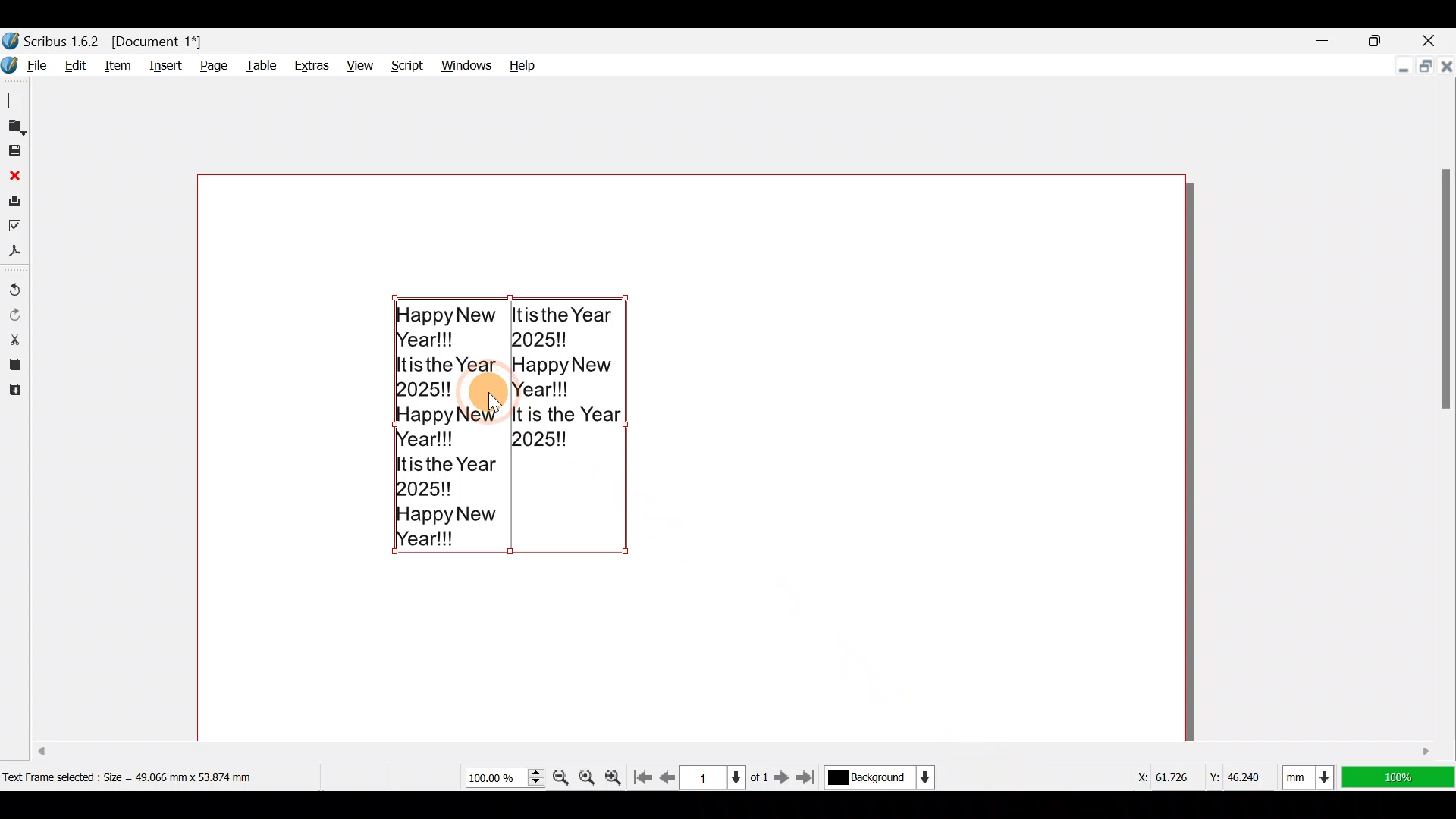 The image size is (1456, 819). I want to click on Go to first page, so click(642, 773).